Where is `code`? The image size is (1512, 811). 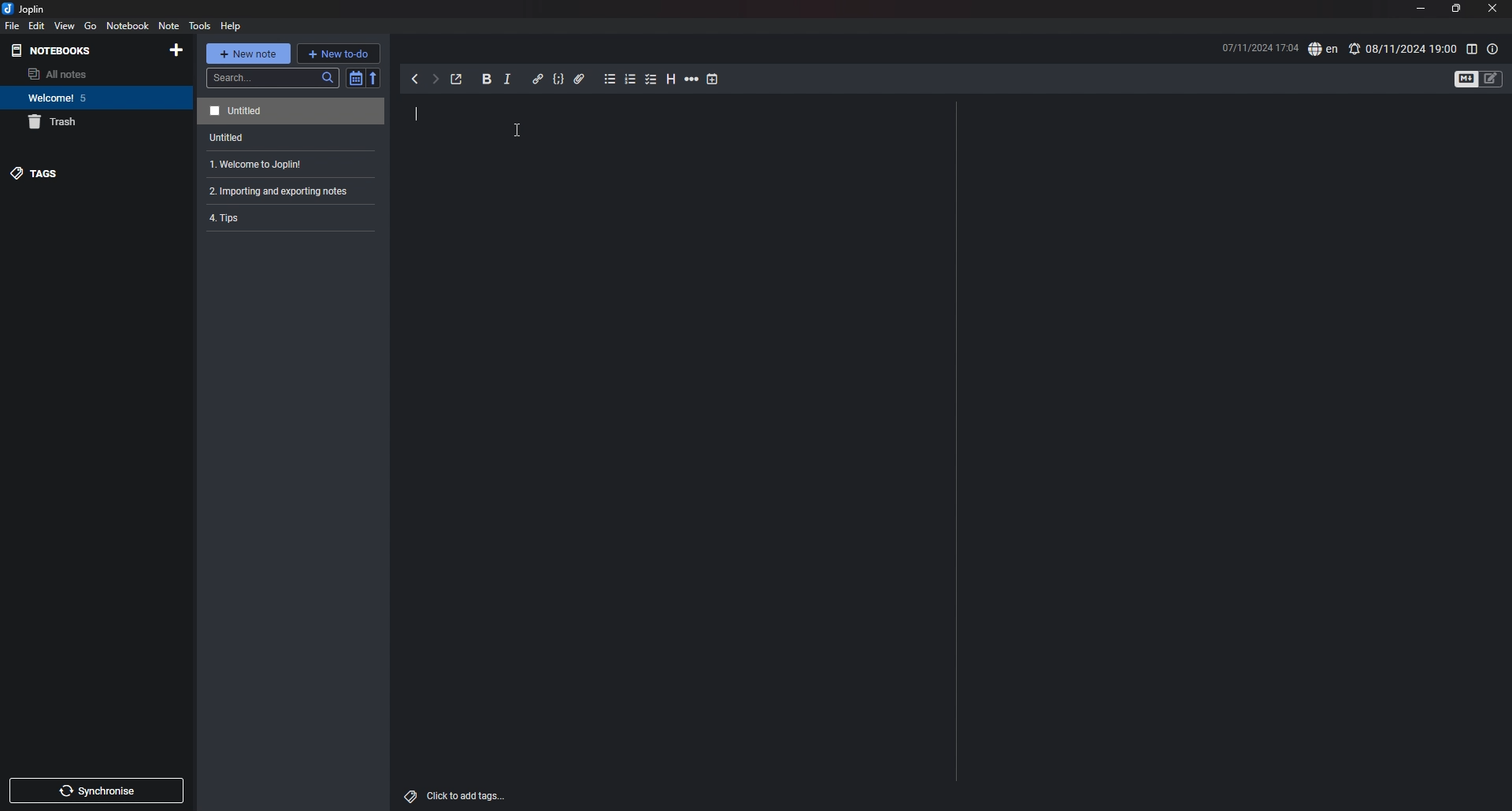 code is located at coordinates (559, 80).